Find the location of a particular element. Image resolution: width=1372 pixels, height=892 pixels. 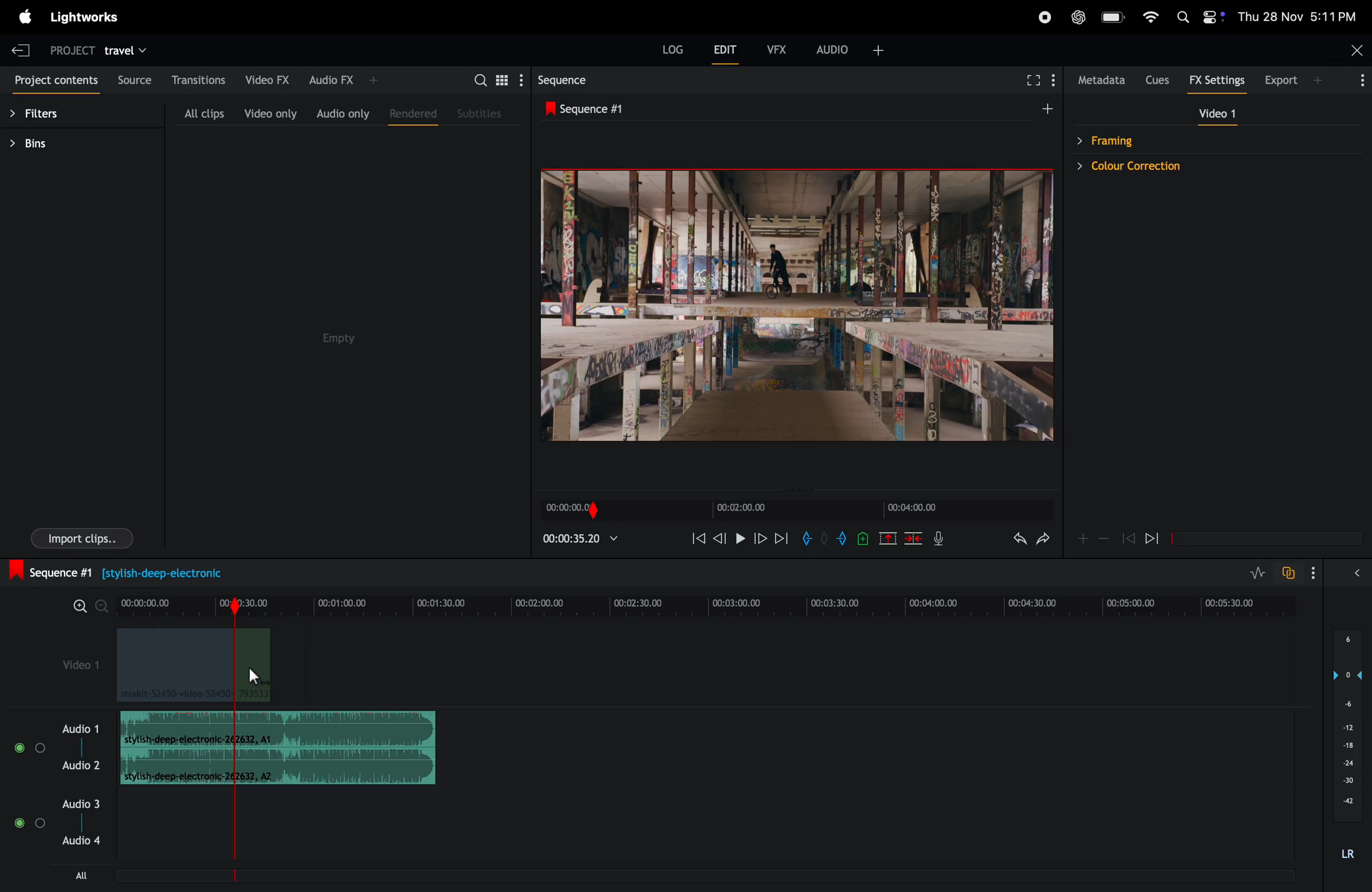

options is located at coordinates (1355, 79).